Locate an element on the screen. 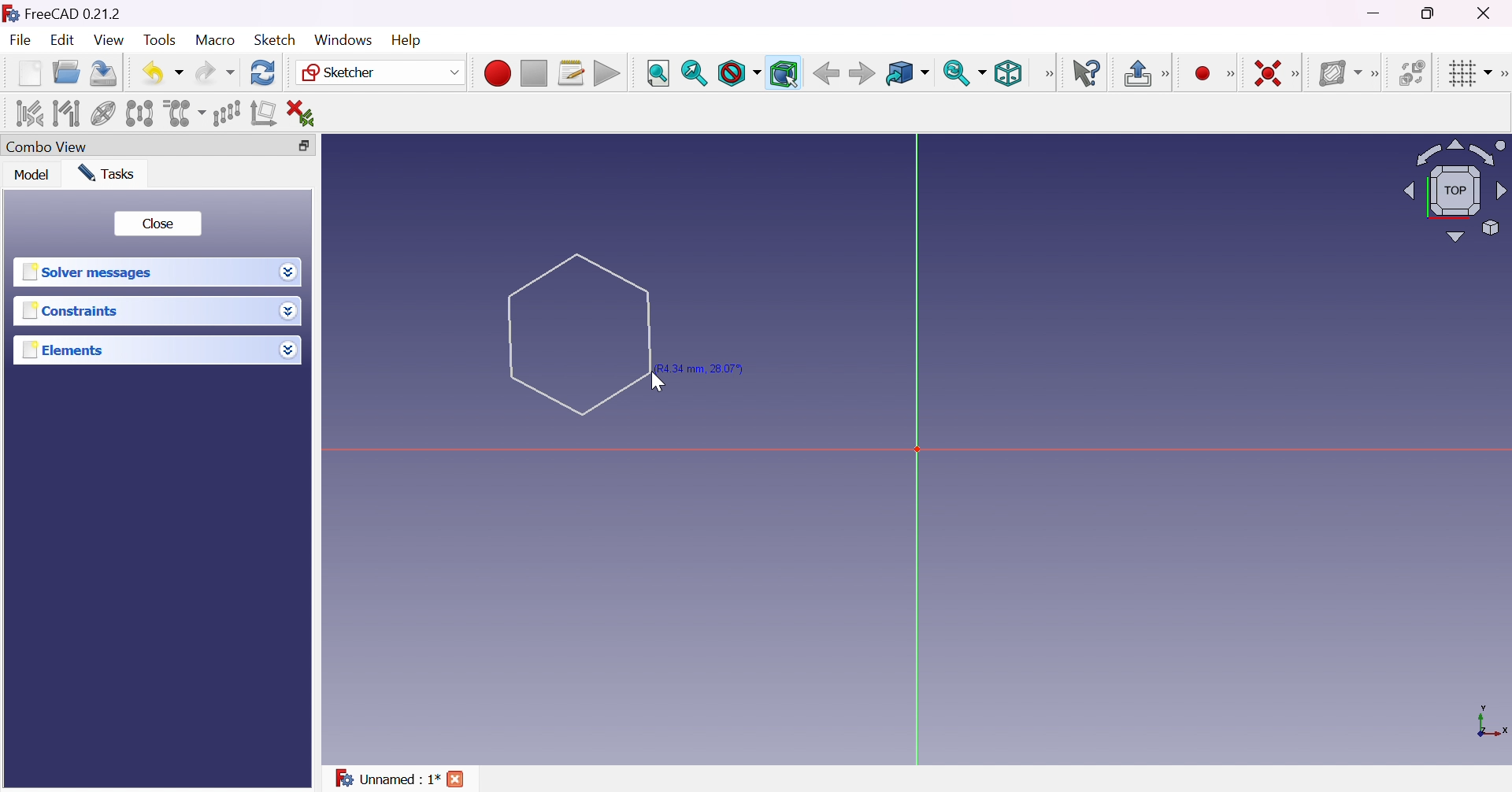  Constrain coincident is located at coordinates (1266, 73).